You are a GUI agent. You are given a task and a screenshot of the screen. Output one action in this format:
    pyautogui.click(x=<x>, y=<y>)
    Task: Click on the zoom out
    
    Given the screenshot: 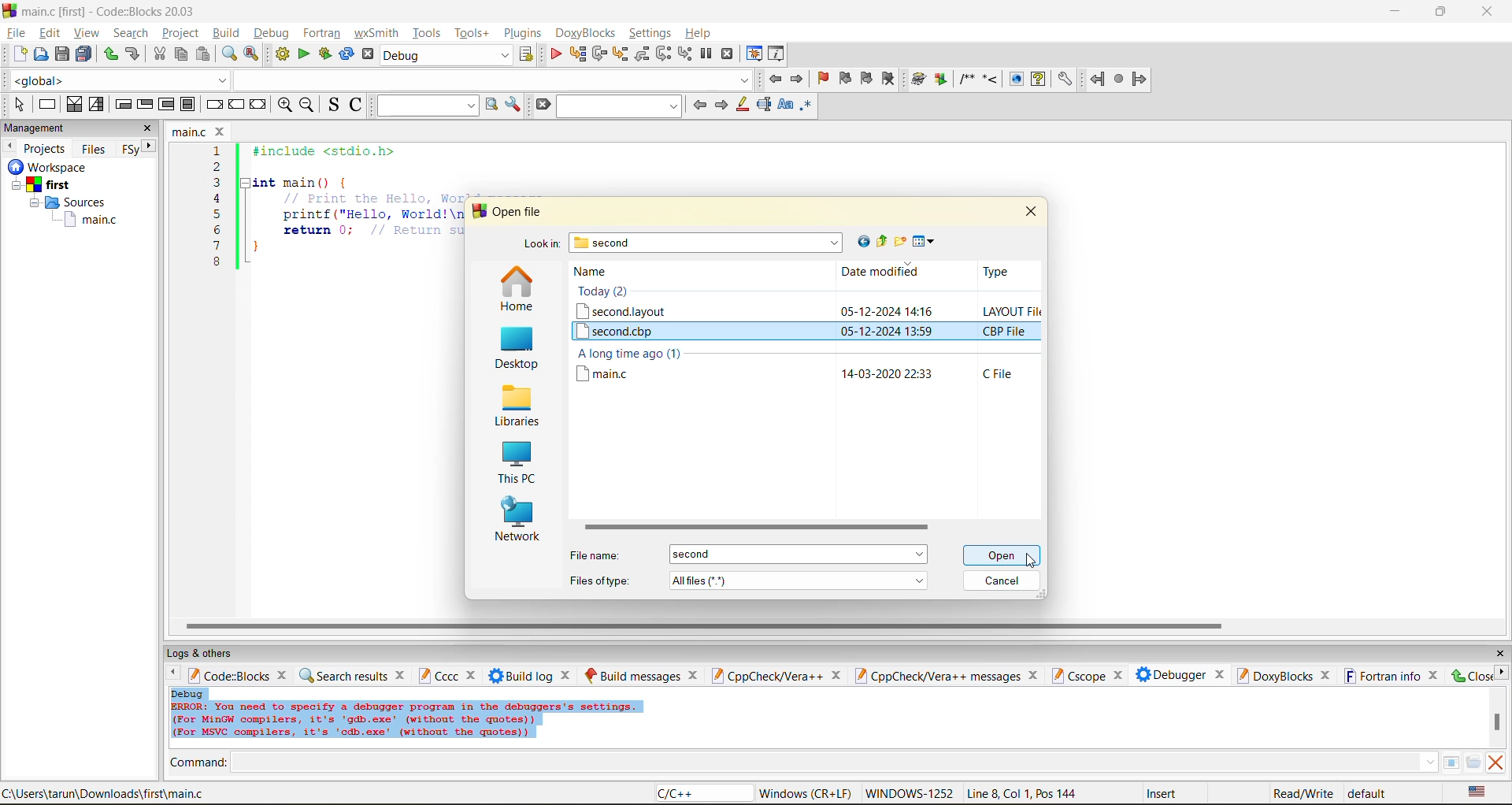 What is the action you would take?
    pyautogui.click(x=306, y=106)
    